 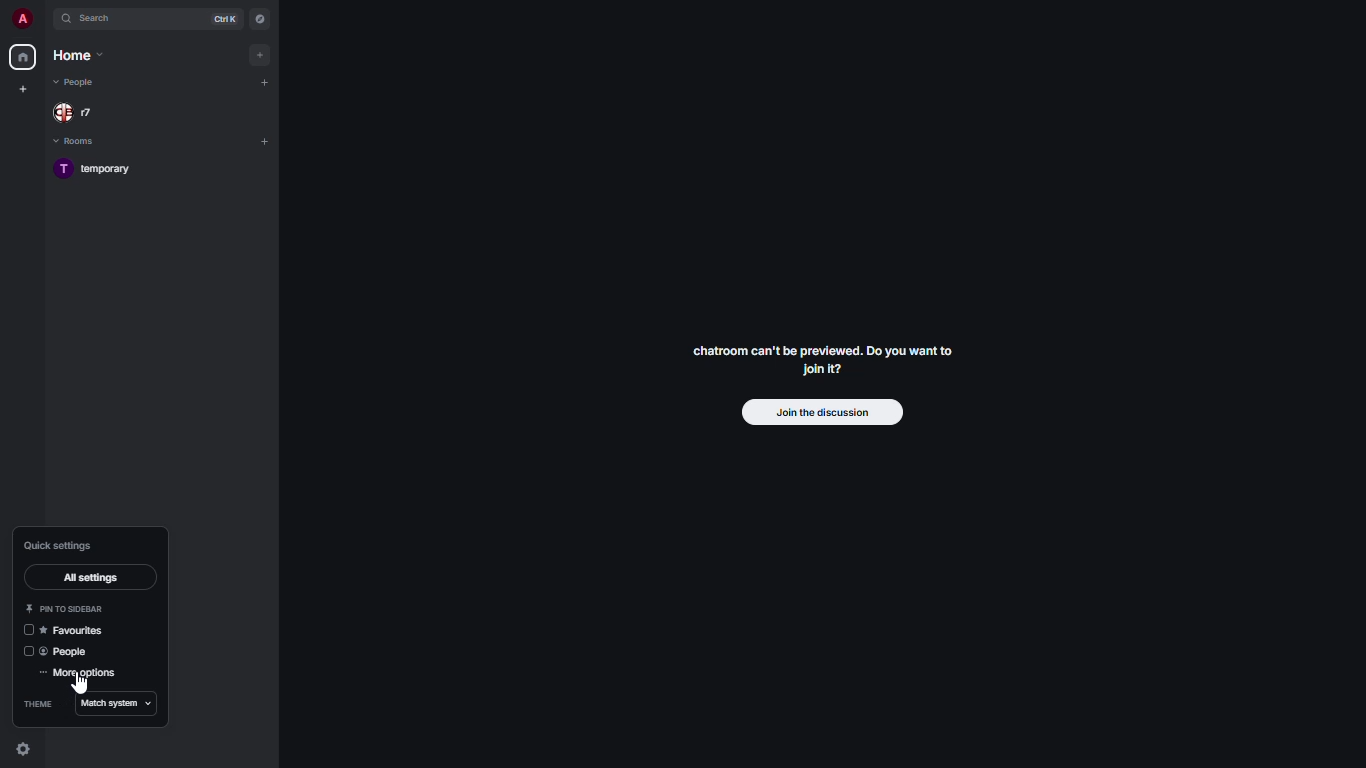 I want to click on theme, so click(x=42, y=704).